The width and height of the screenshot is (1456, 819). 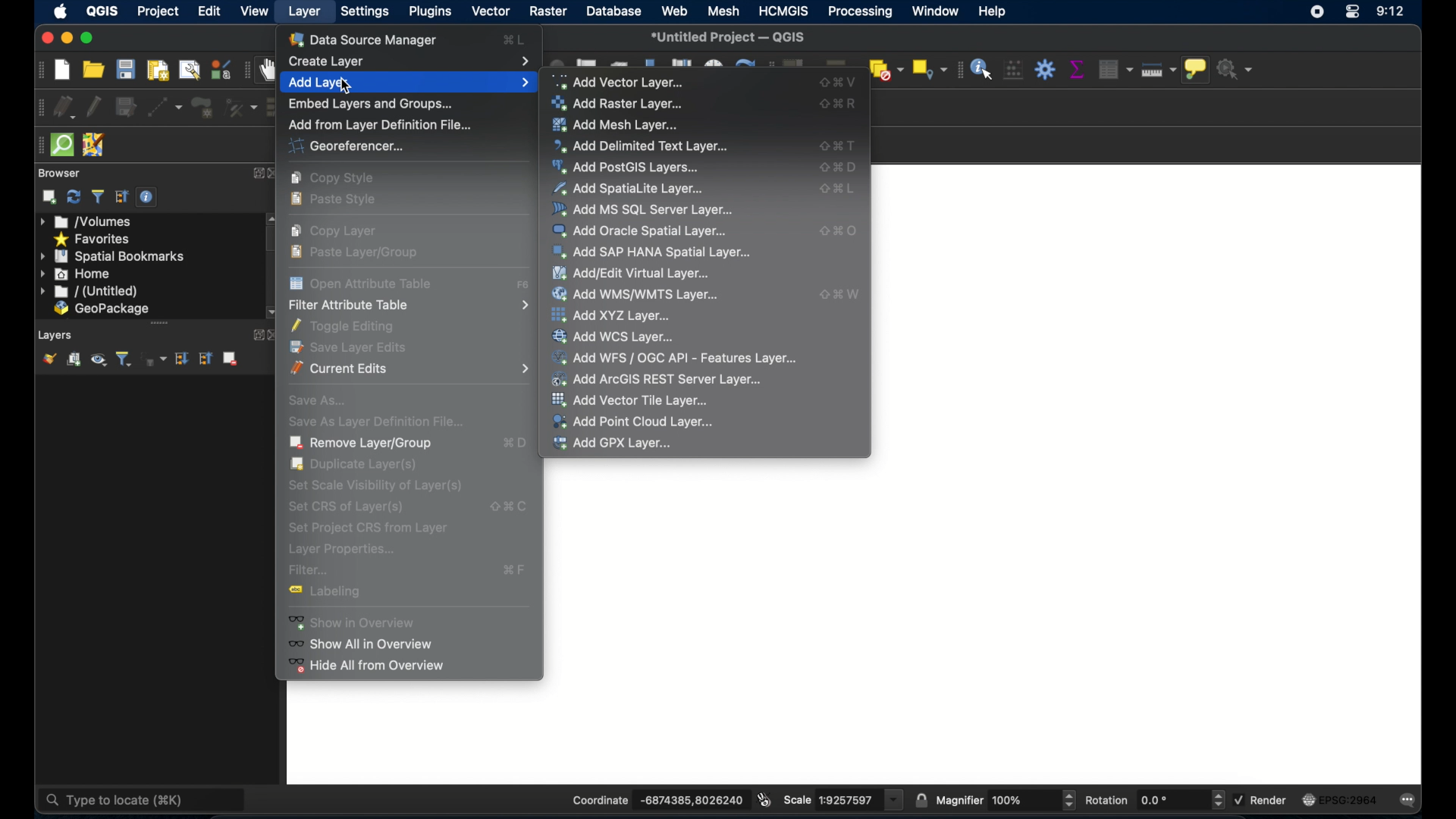 What do you see at coordinates (383, 124) in the screenshot?
I see `Add from layer definition file...` at bounding box center [383, 124].